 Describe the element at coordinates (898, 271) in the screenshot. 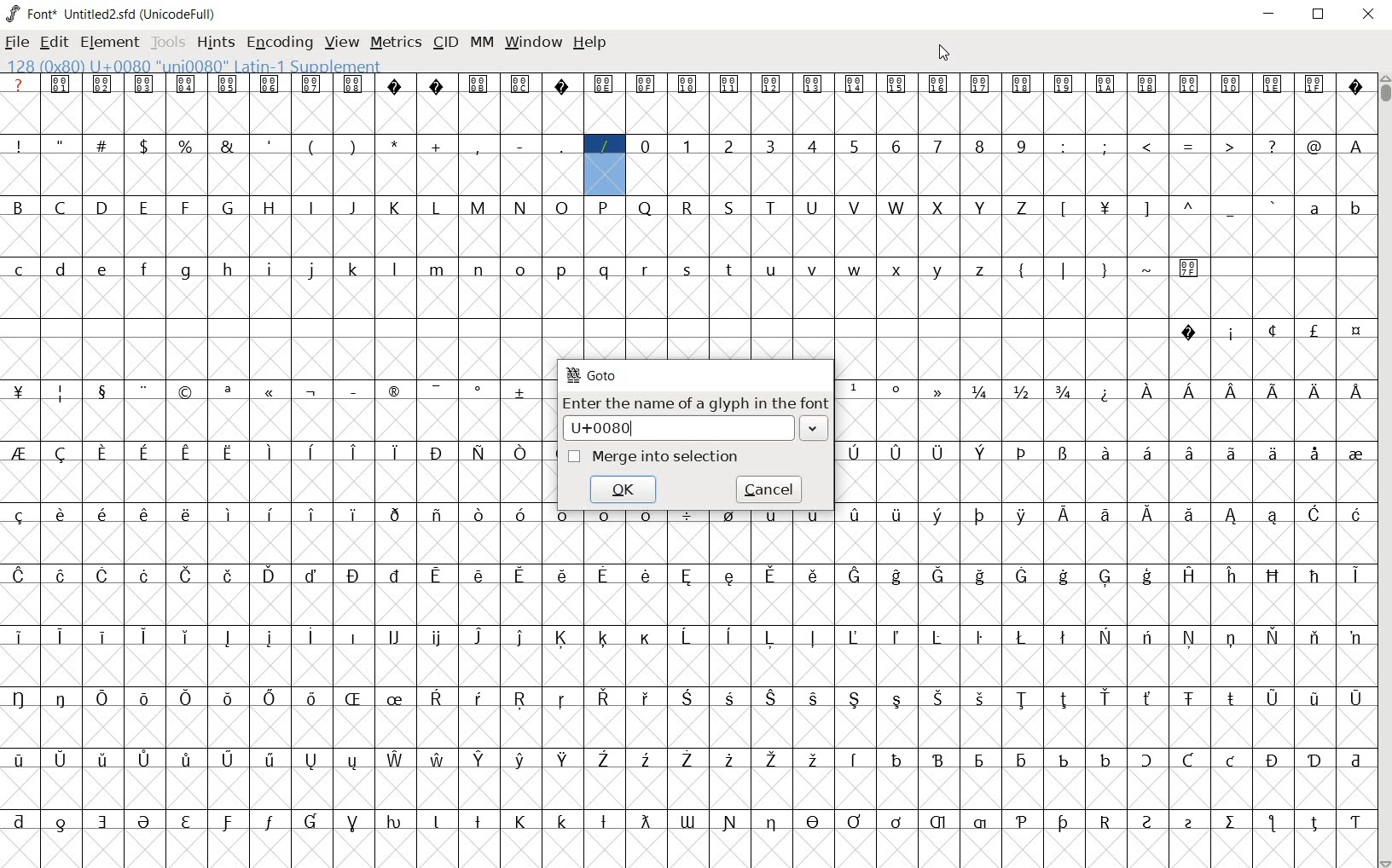

I see `glyph` at that location.